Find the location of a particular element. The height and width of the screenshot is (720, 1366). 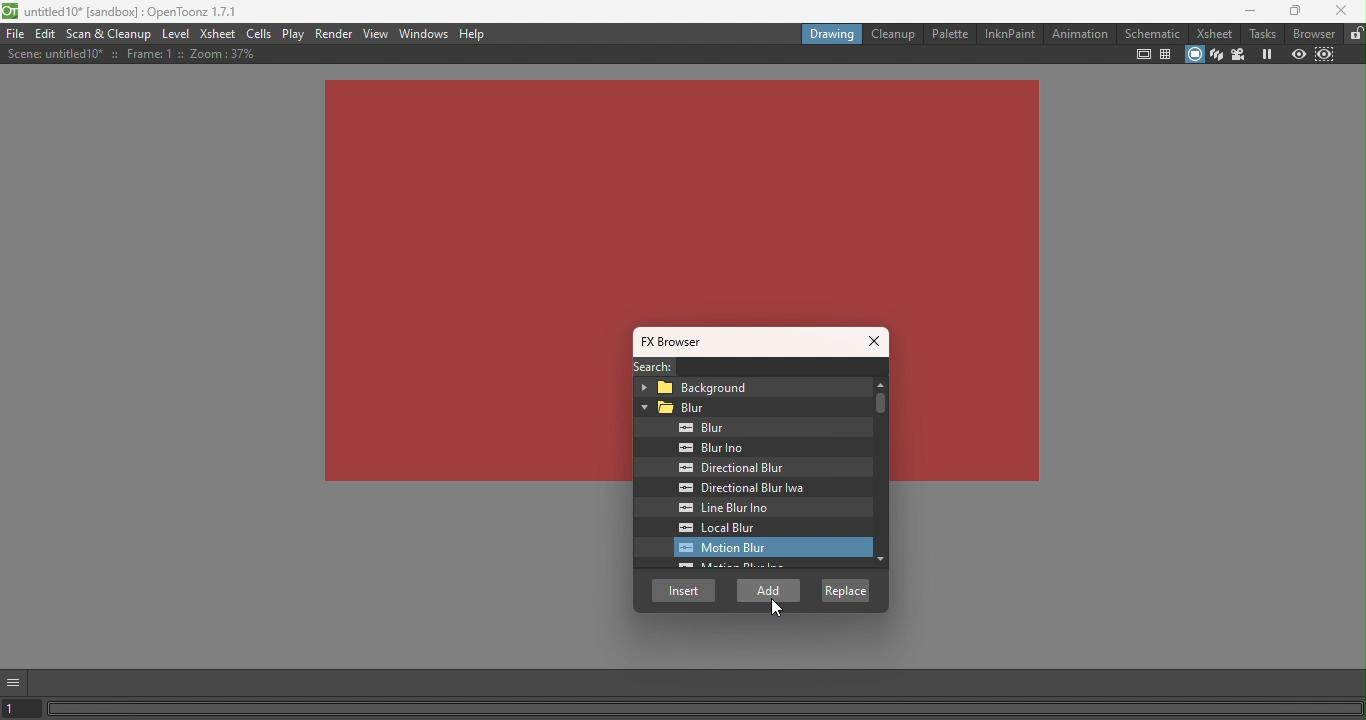

Scan & Cleanup is located at coordinates (111, 33).